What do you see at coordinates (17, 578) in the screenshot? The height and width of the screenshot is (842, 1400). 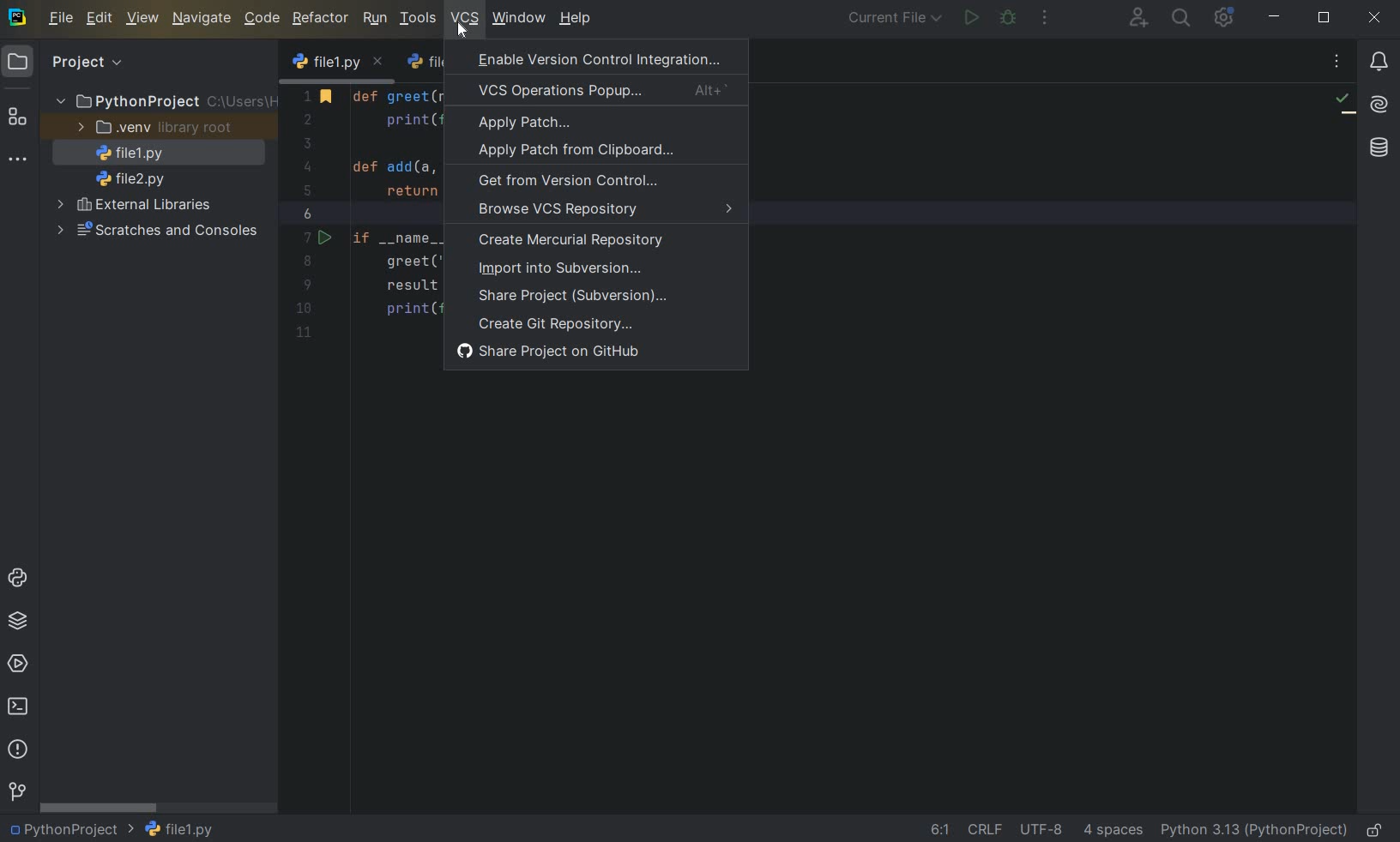 I see `python console` at bounding box center [17, 578].